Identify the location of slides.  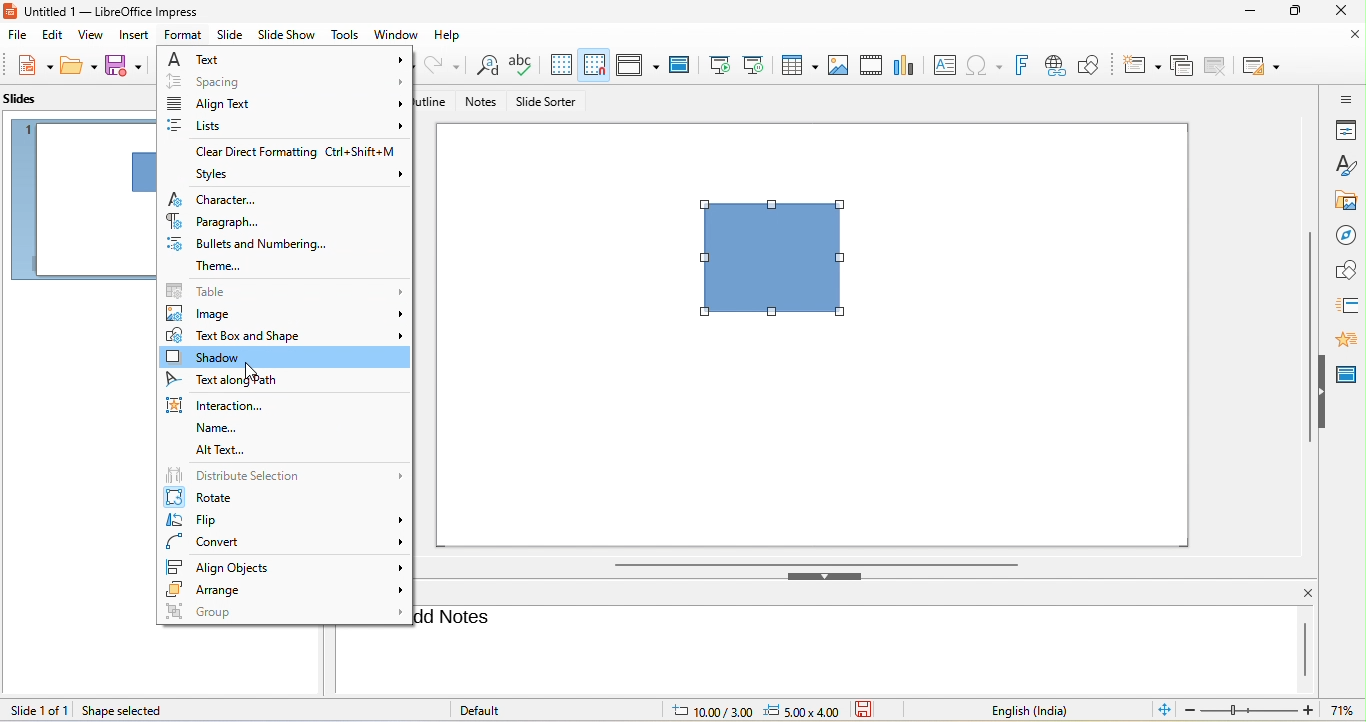
(24, 98).